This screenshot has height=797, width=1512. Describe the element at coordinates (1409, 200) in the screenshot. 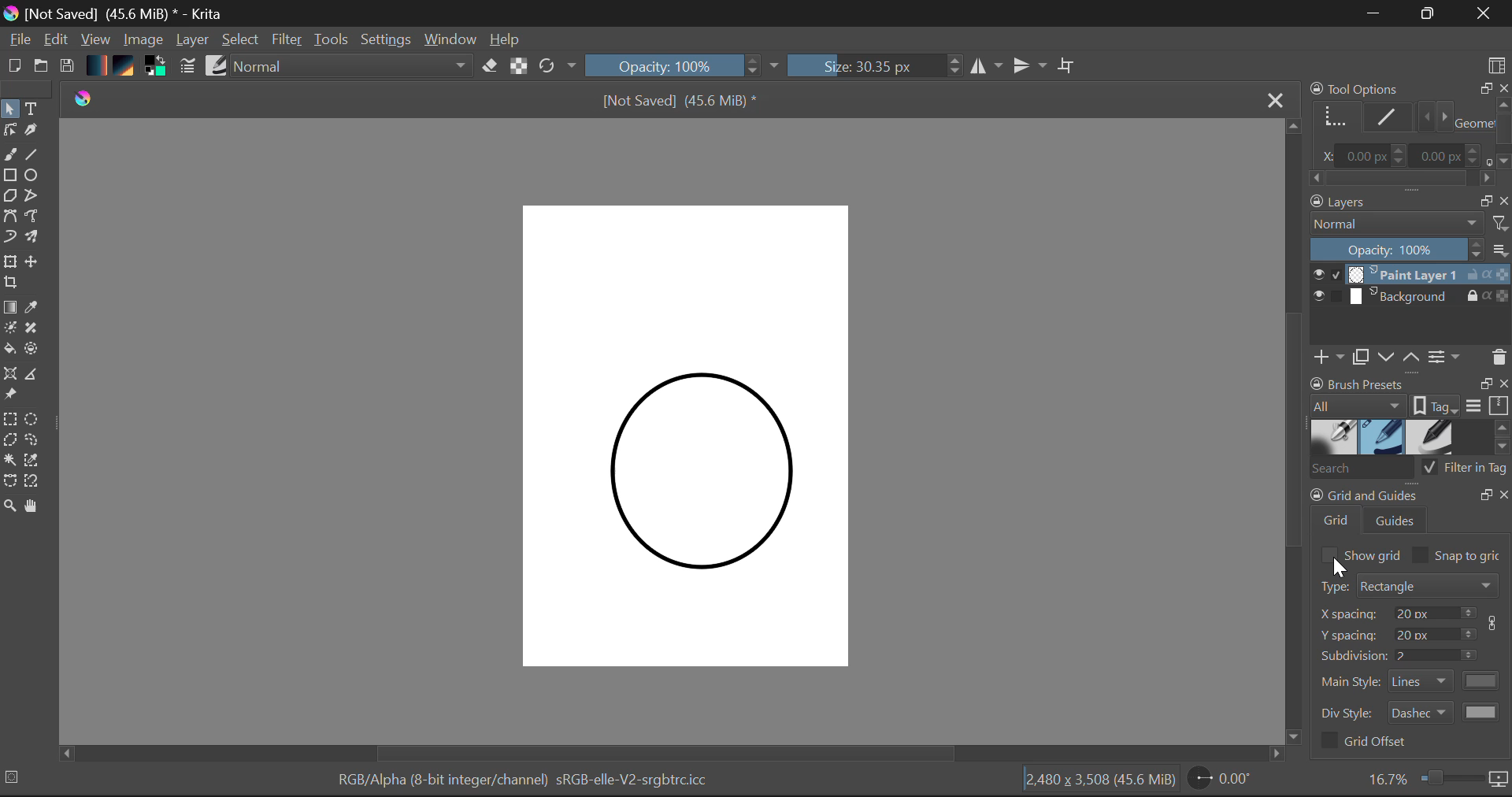

I see `Layers Docket Tab` at that location.